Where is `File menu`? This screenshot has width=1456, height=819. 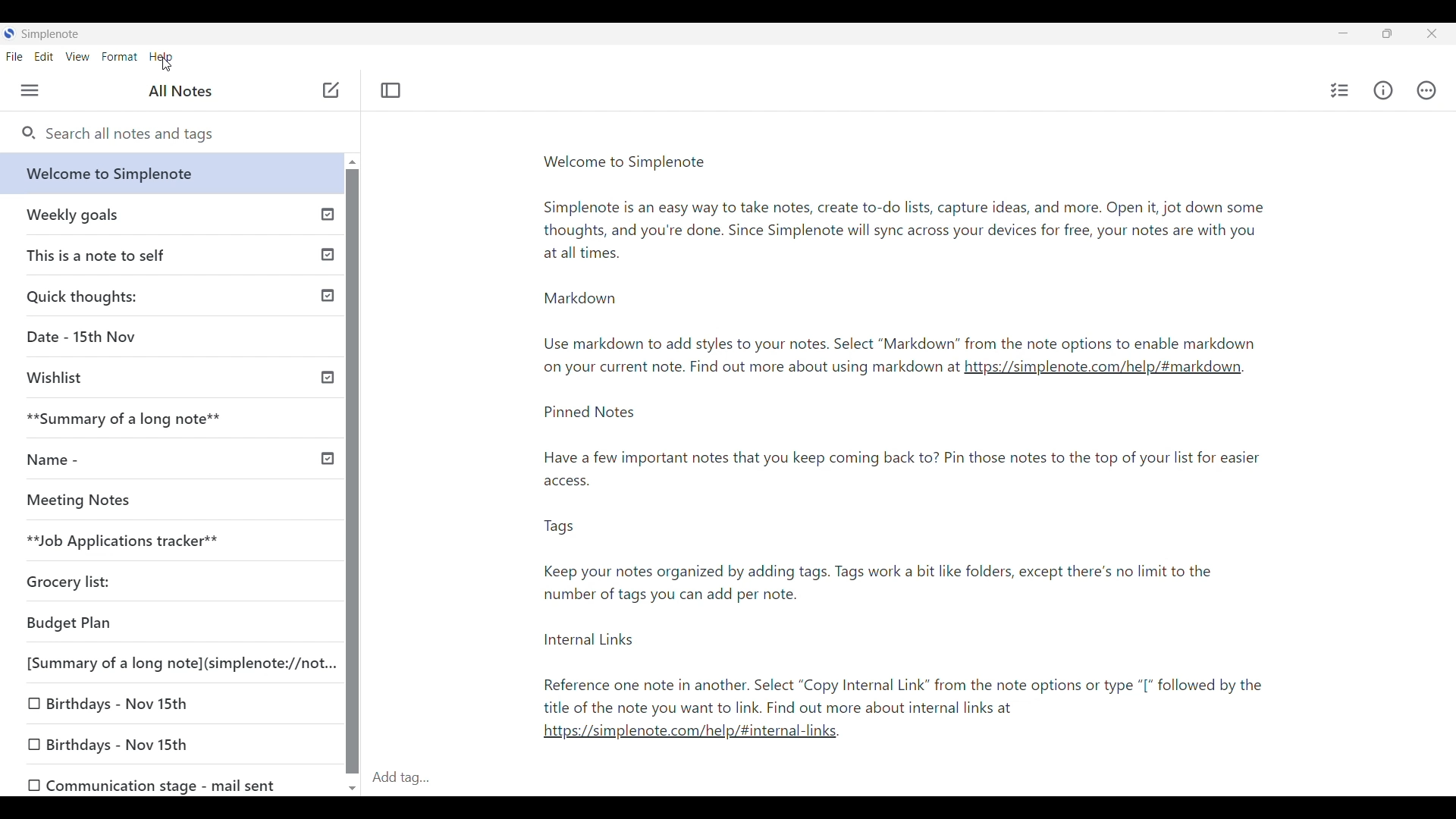 File menu is located at coordinates (14, 57).